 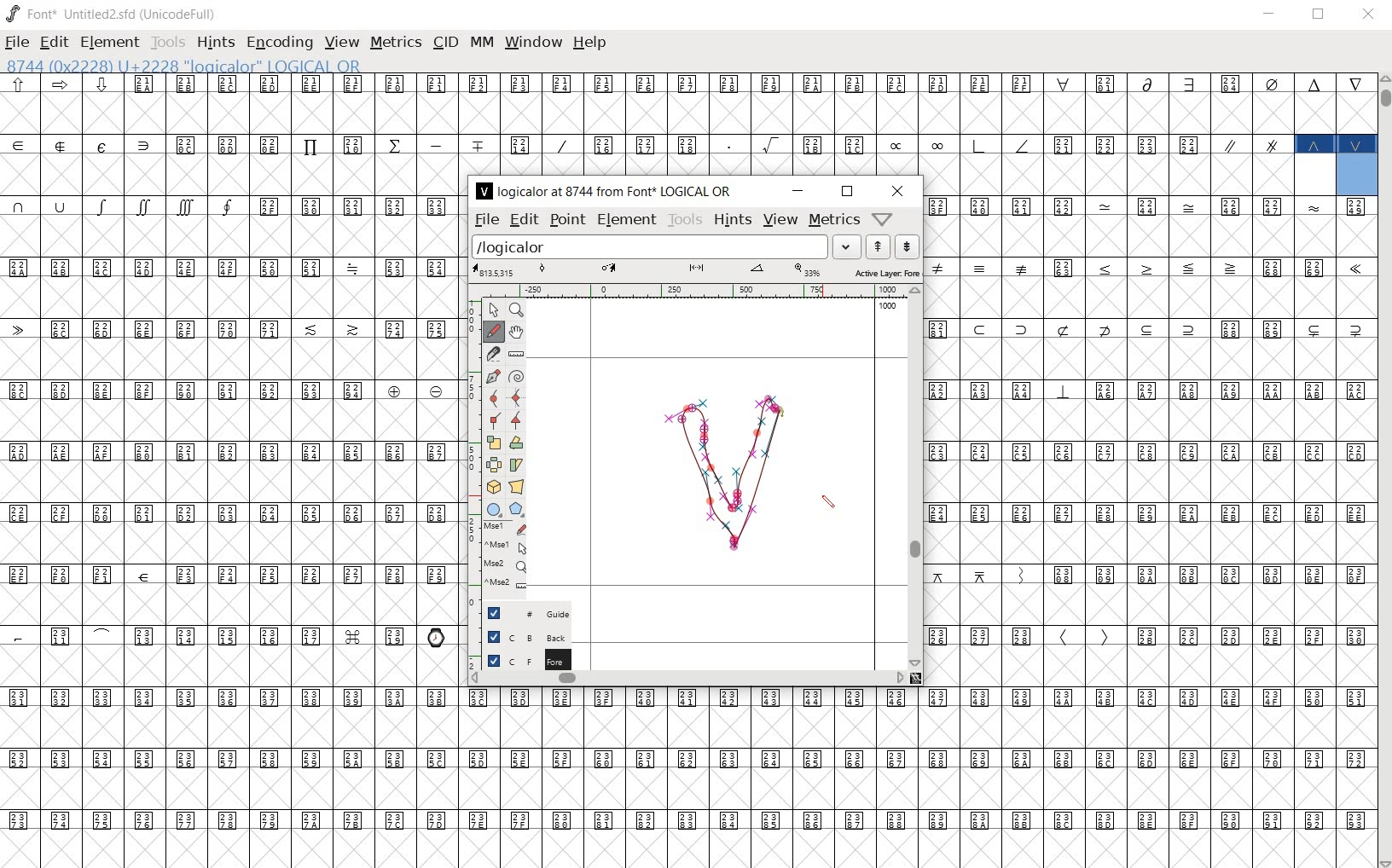 What do you see at coordinates (281, 43) in the screenshot?
I see `encoding` at bounding box center [281, 43].